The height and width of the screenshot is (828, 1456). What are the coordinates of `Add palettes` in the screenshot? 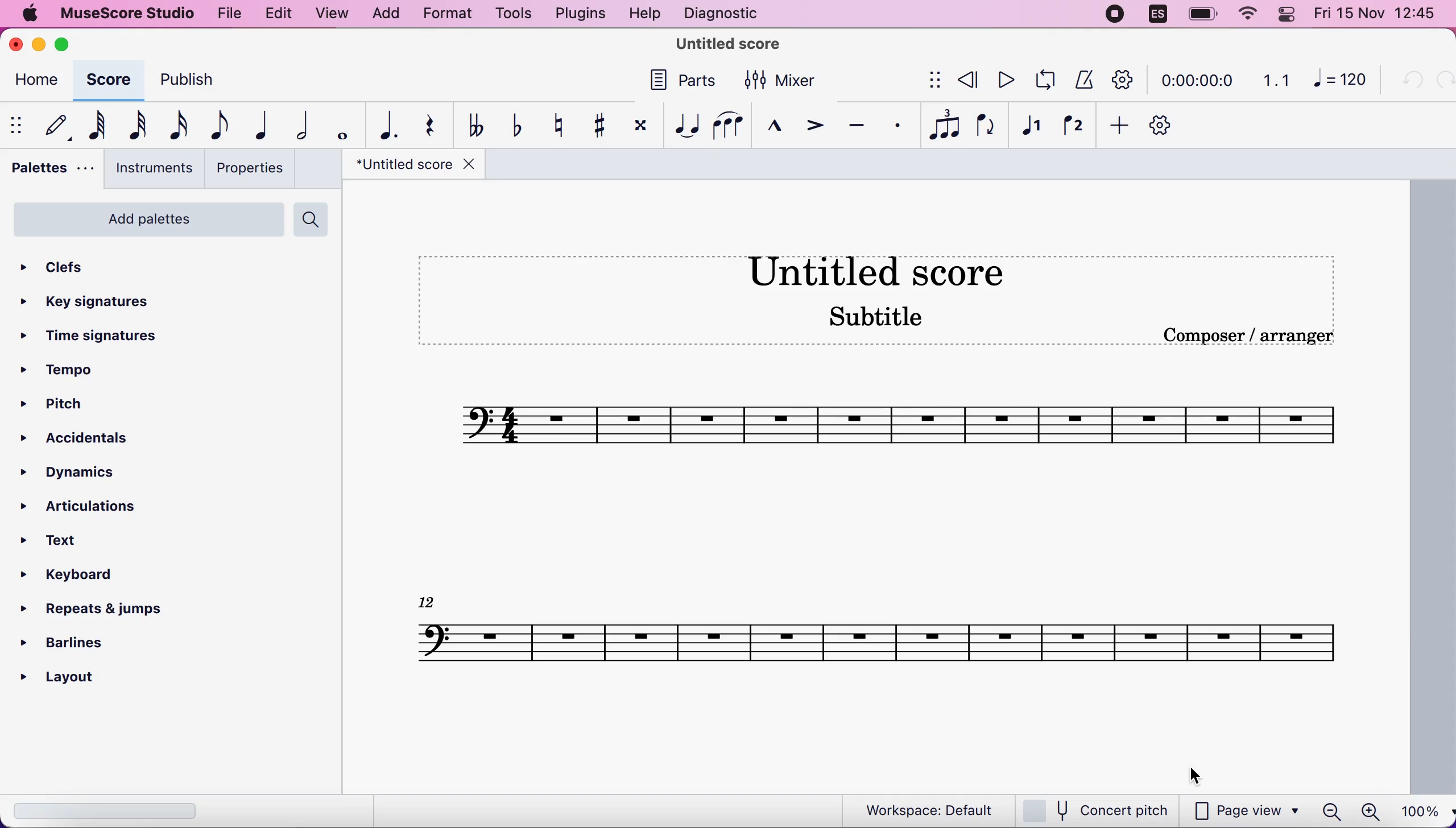 It's located at (143, 217).